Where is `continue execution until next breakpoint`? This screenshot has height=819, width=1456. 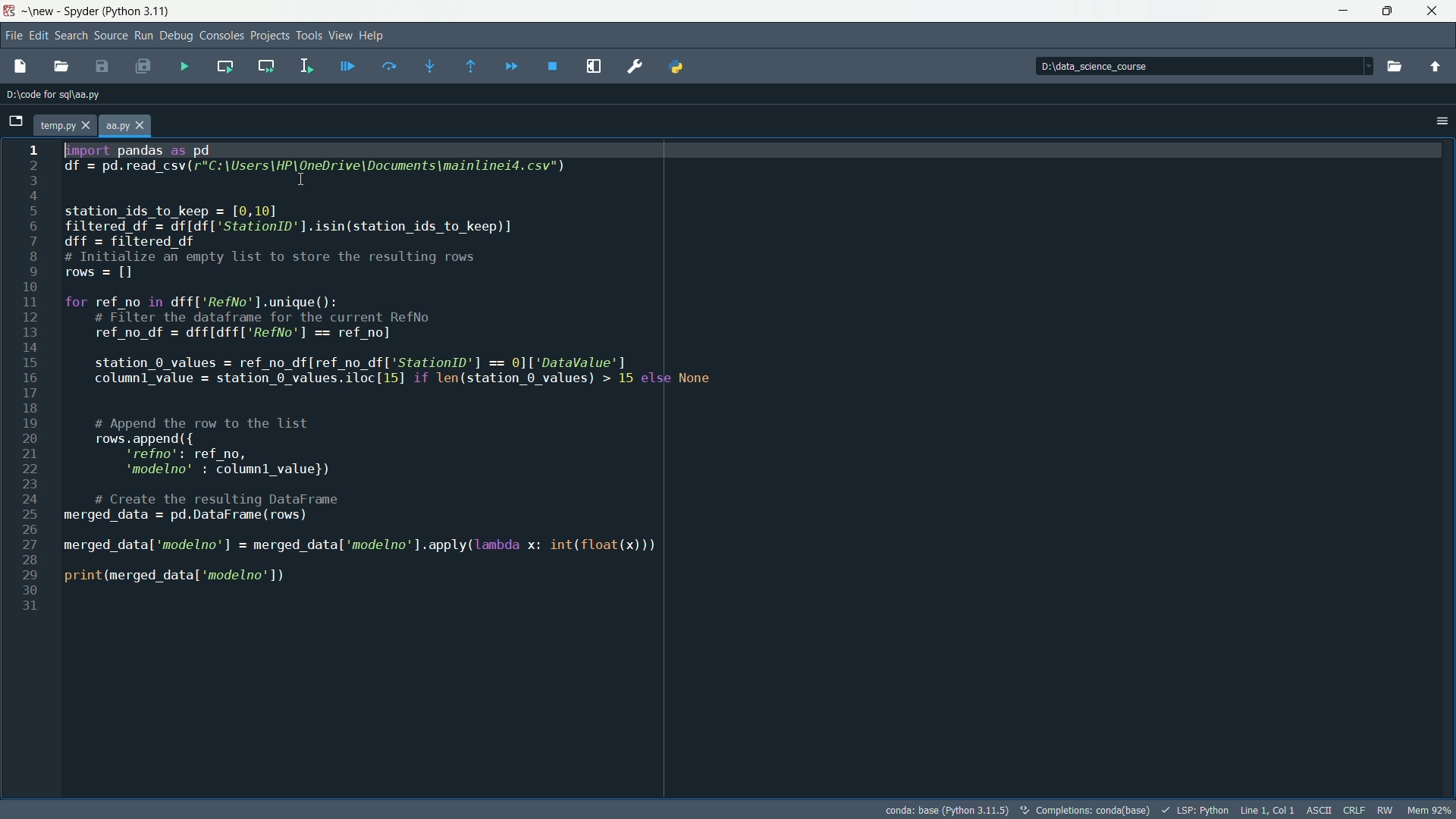
continue execution until next breakpoint is located at coordinates (513, 65).